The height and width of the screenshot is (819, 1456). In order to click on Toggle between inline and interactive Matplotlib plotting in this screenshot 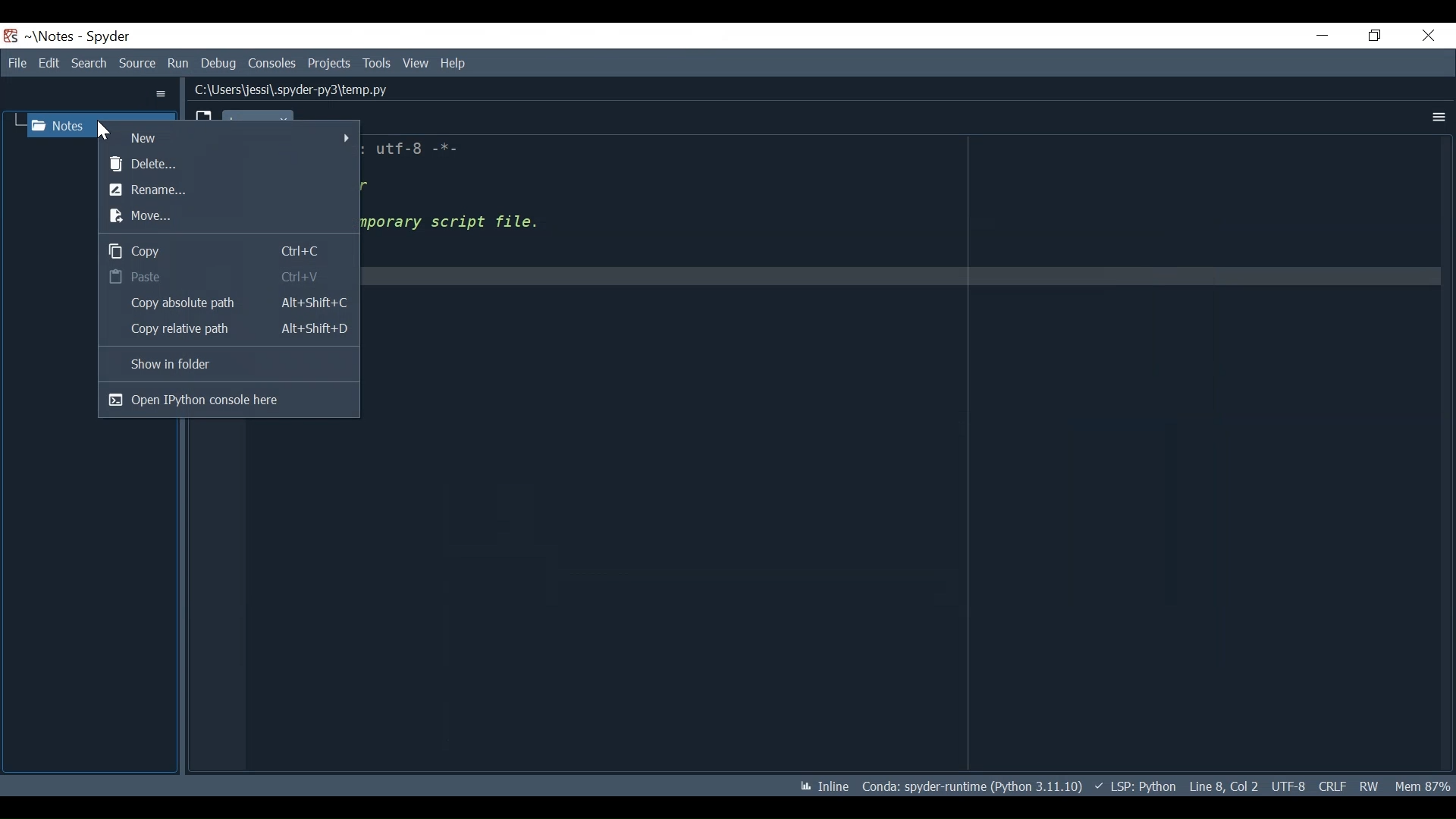, I will do `click(826, 786)`.